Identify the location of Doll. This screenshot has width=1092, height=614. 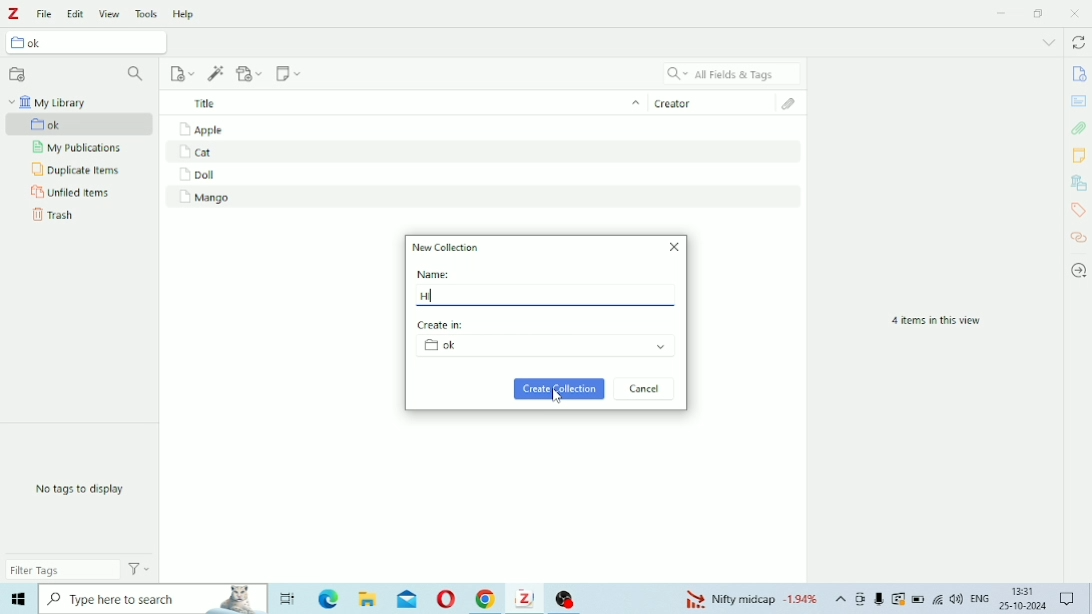
(197, 175).